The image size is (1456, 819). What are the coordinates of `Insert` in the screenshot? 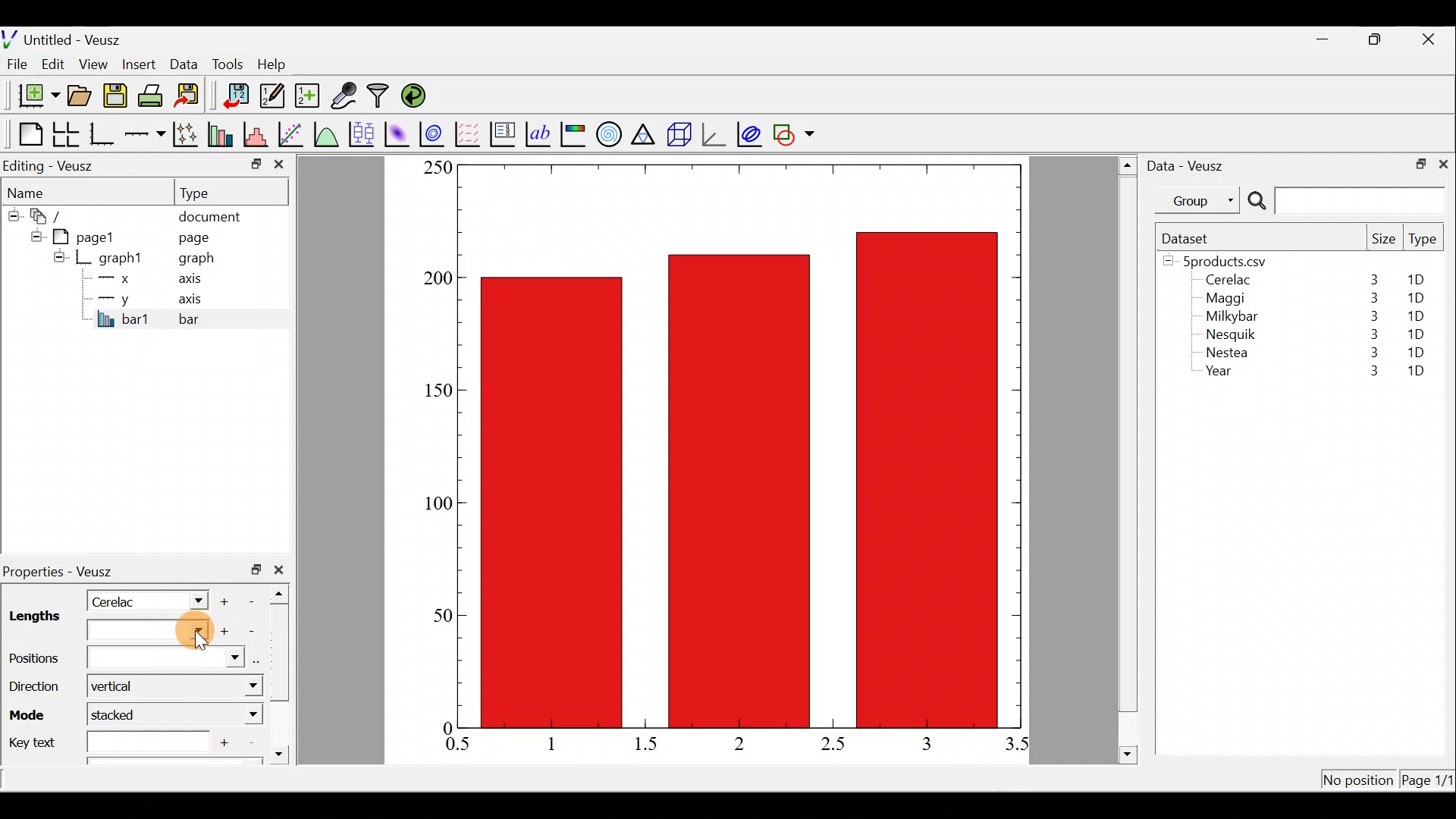 It's located at (141, 64).